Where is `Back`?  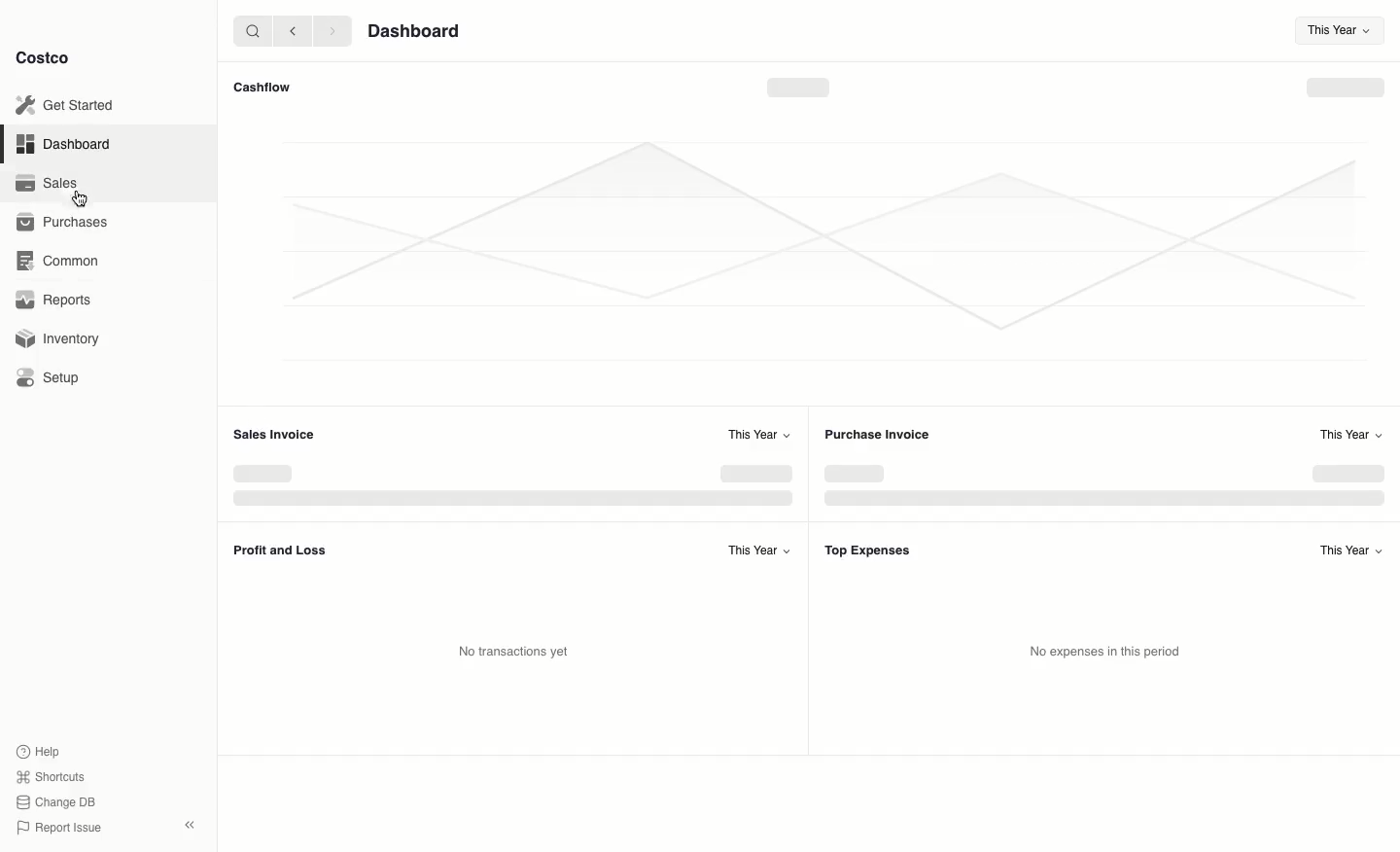 Back is located at coordinates (291, 31).